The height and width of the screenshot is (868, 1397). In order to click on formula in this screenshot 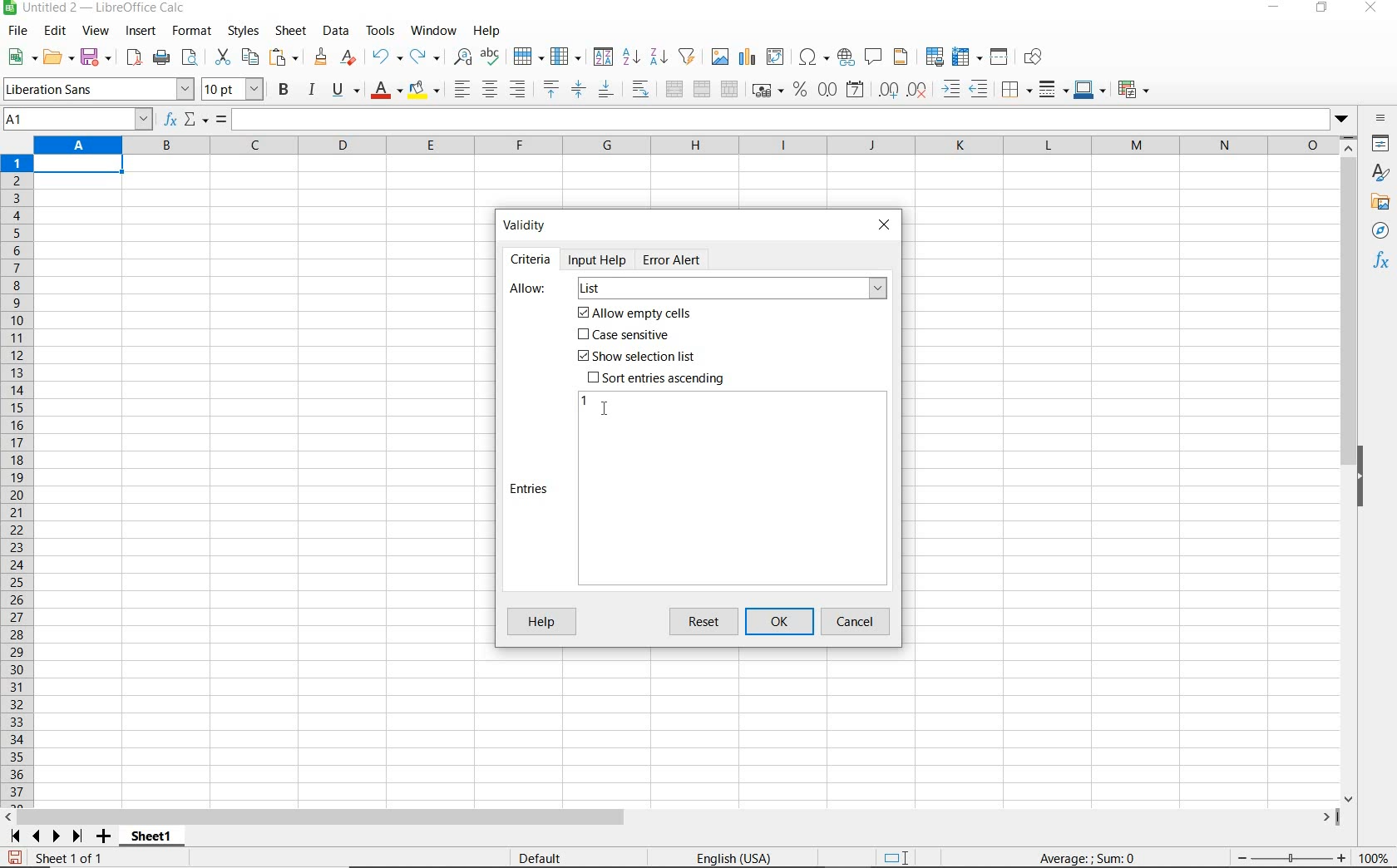, I will do `click(1088, 857)`.